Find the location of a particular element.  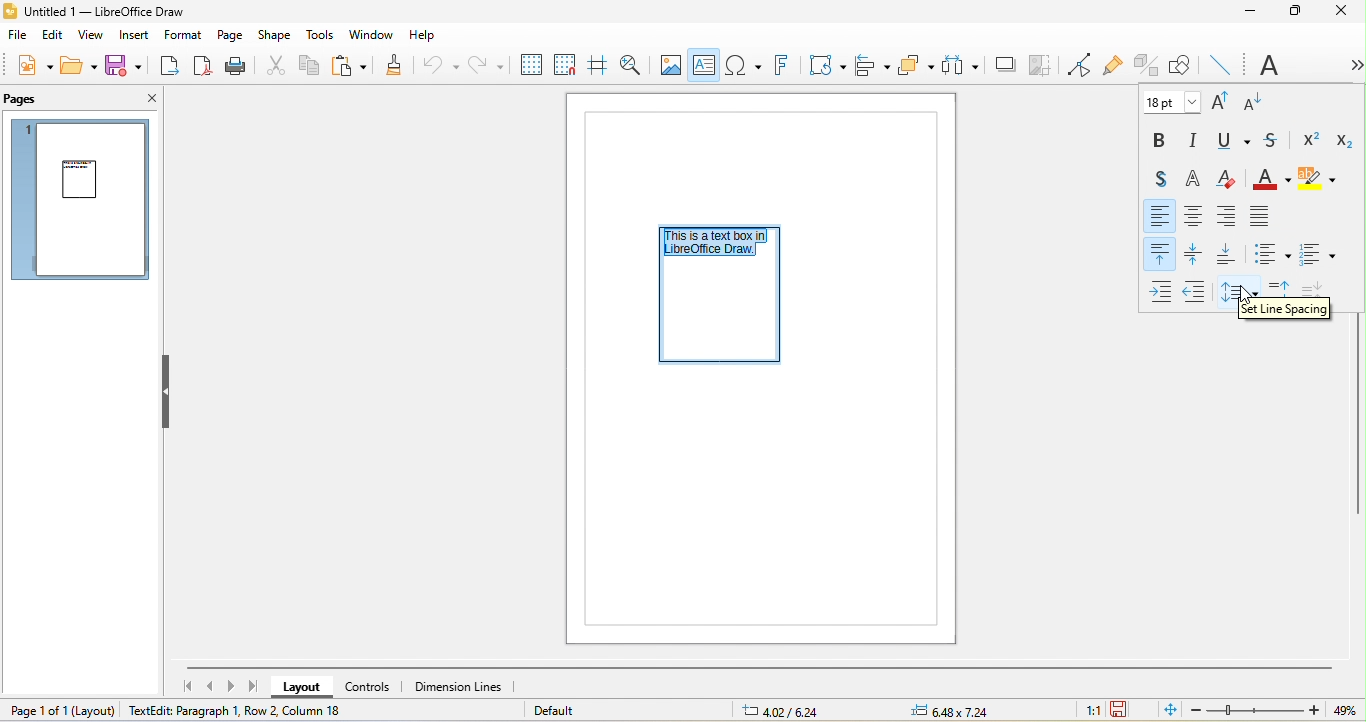

more option is located at coordinates (1347, 65).